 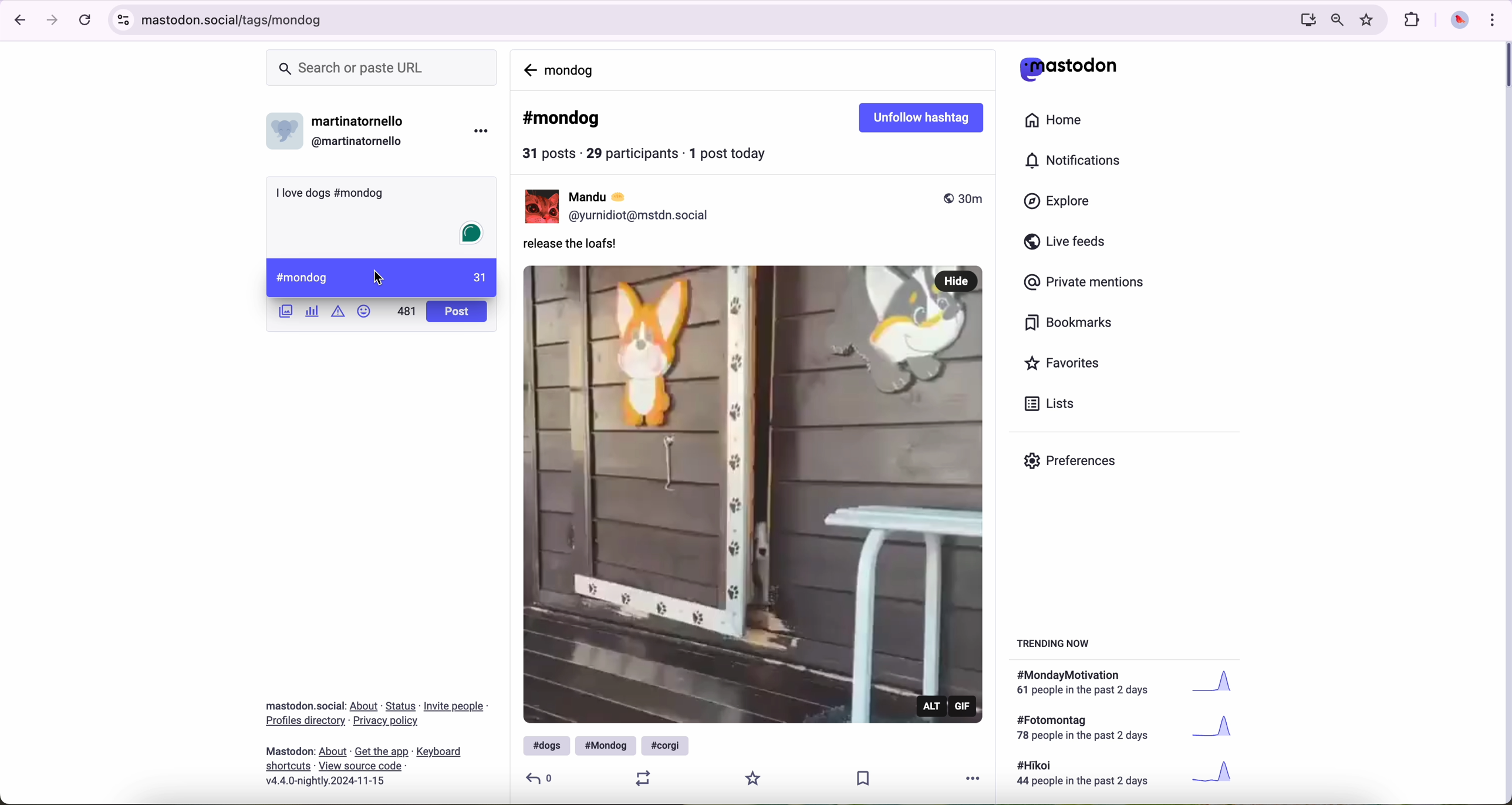 I want to click on 31 posts, so click(x=551, y=155).